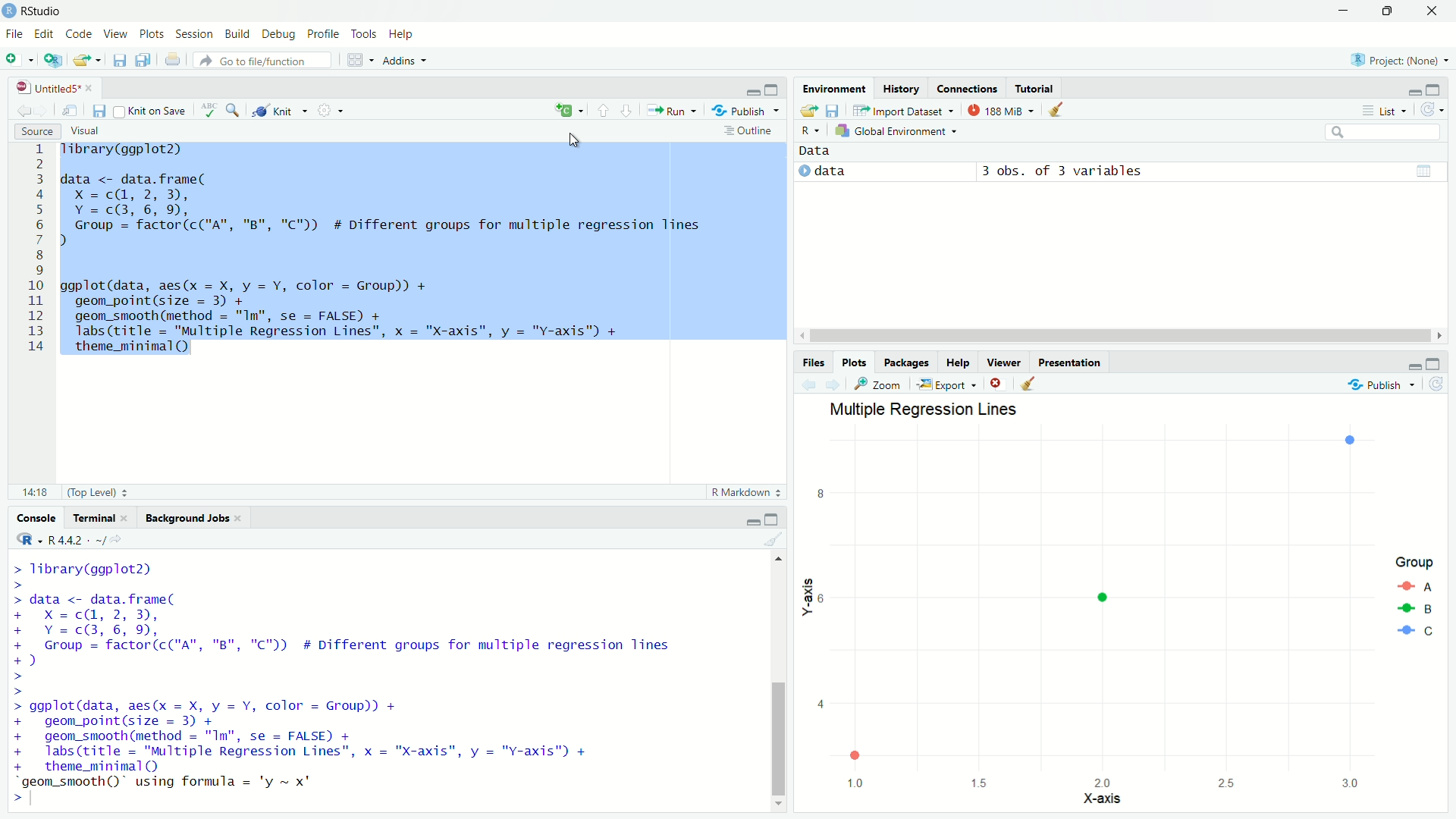 The width and height of the screenshot is (1456, 819). Describe the element at coordinates (408, 59) in the screenshot. I see `Addins` at that location.